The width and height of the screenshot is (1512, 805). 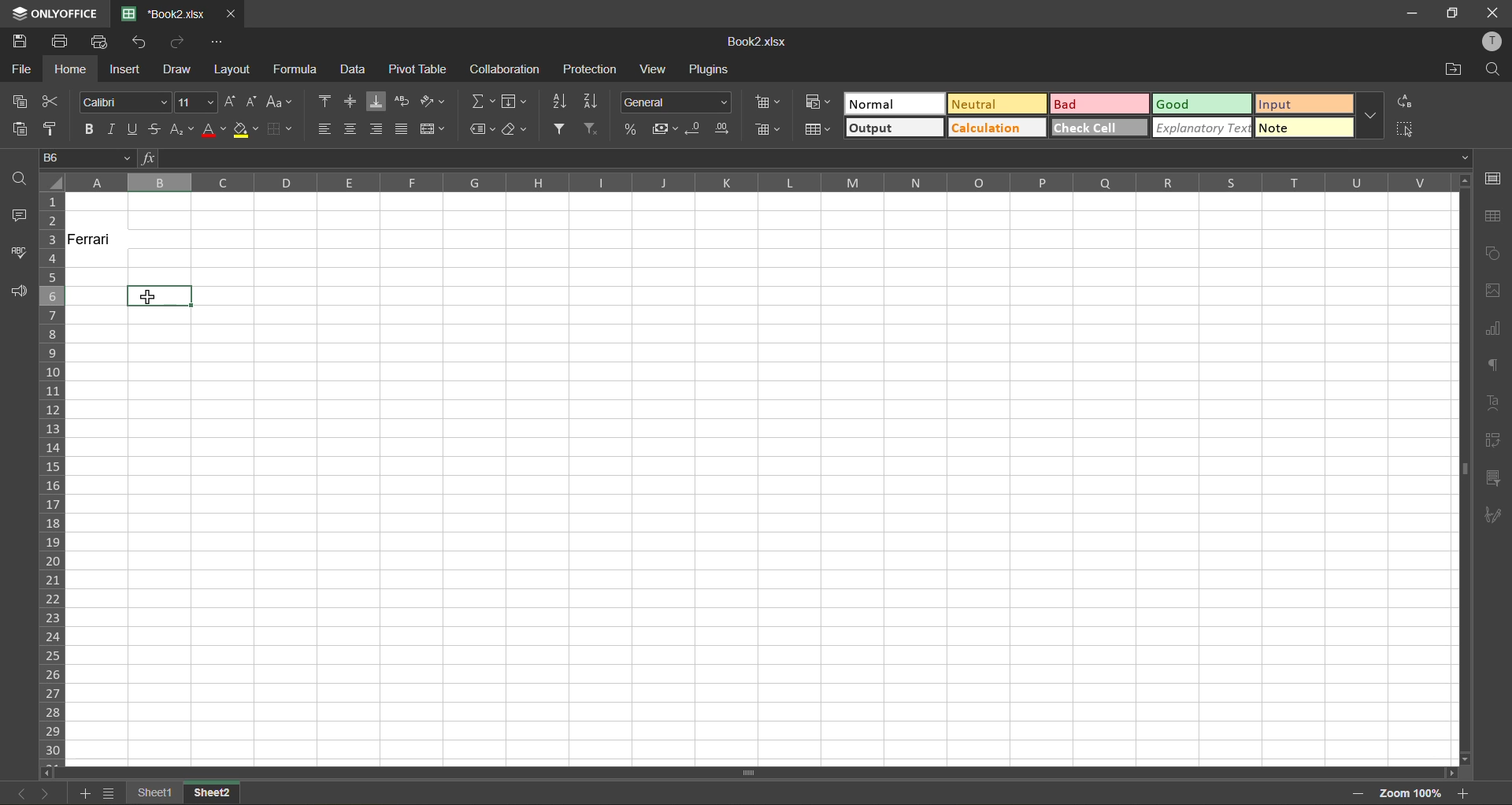 What do you see at coordinates (418, 69) in the screenshot?
I see `pivot table` at bounding box center [418, 69].